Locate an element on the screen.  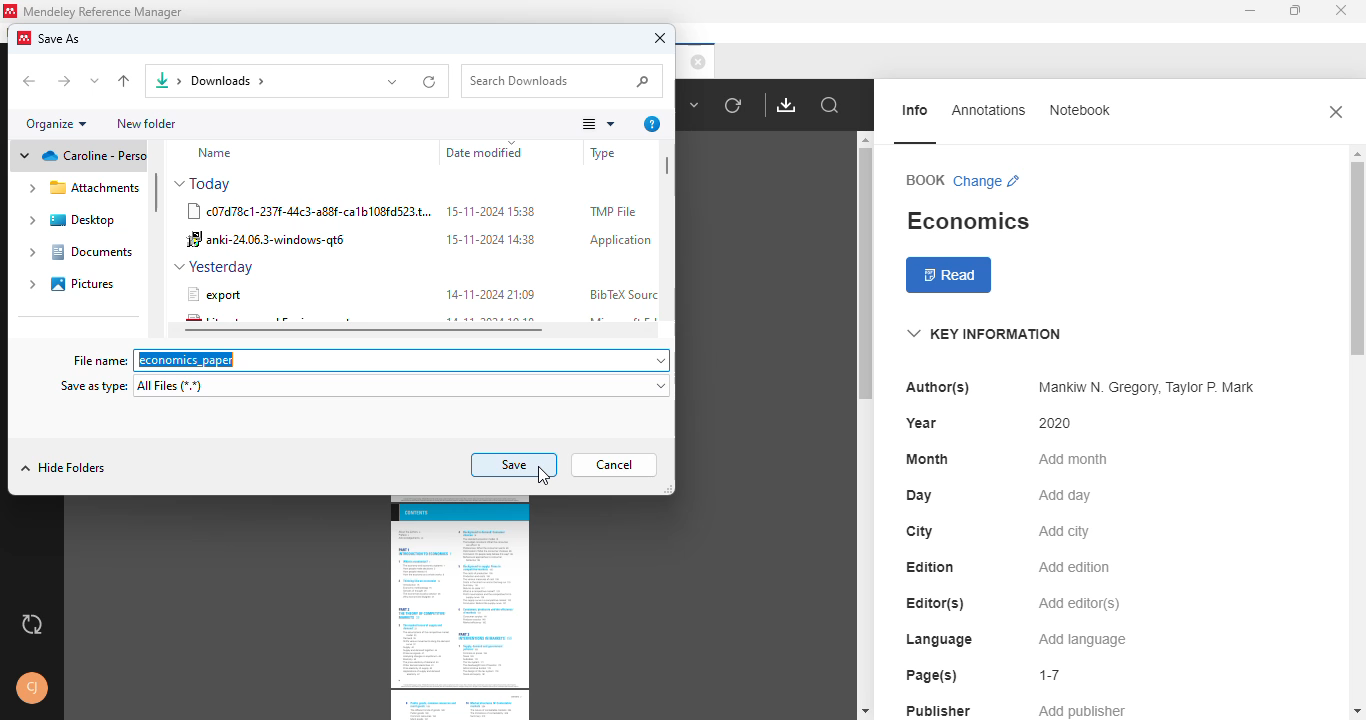
close is located at coordinates (660, 38).